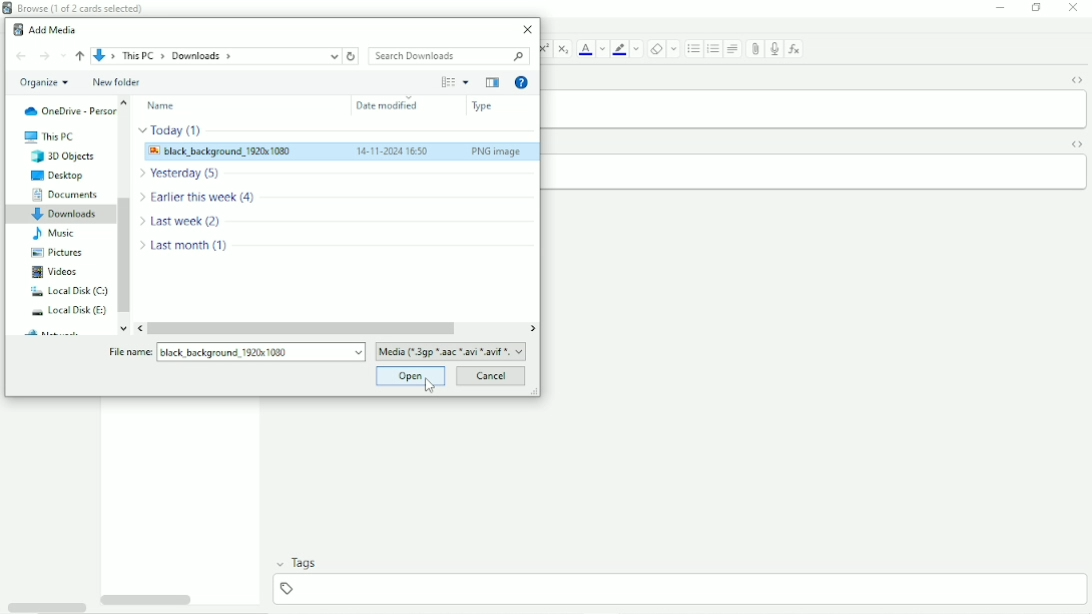  I want to click on Select formatting to remove, so click(675, 49).